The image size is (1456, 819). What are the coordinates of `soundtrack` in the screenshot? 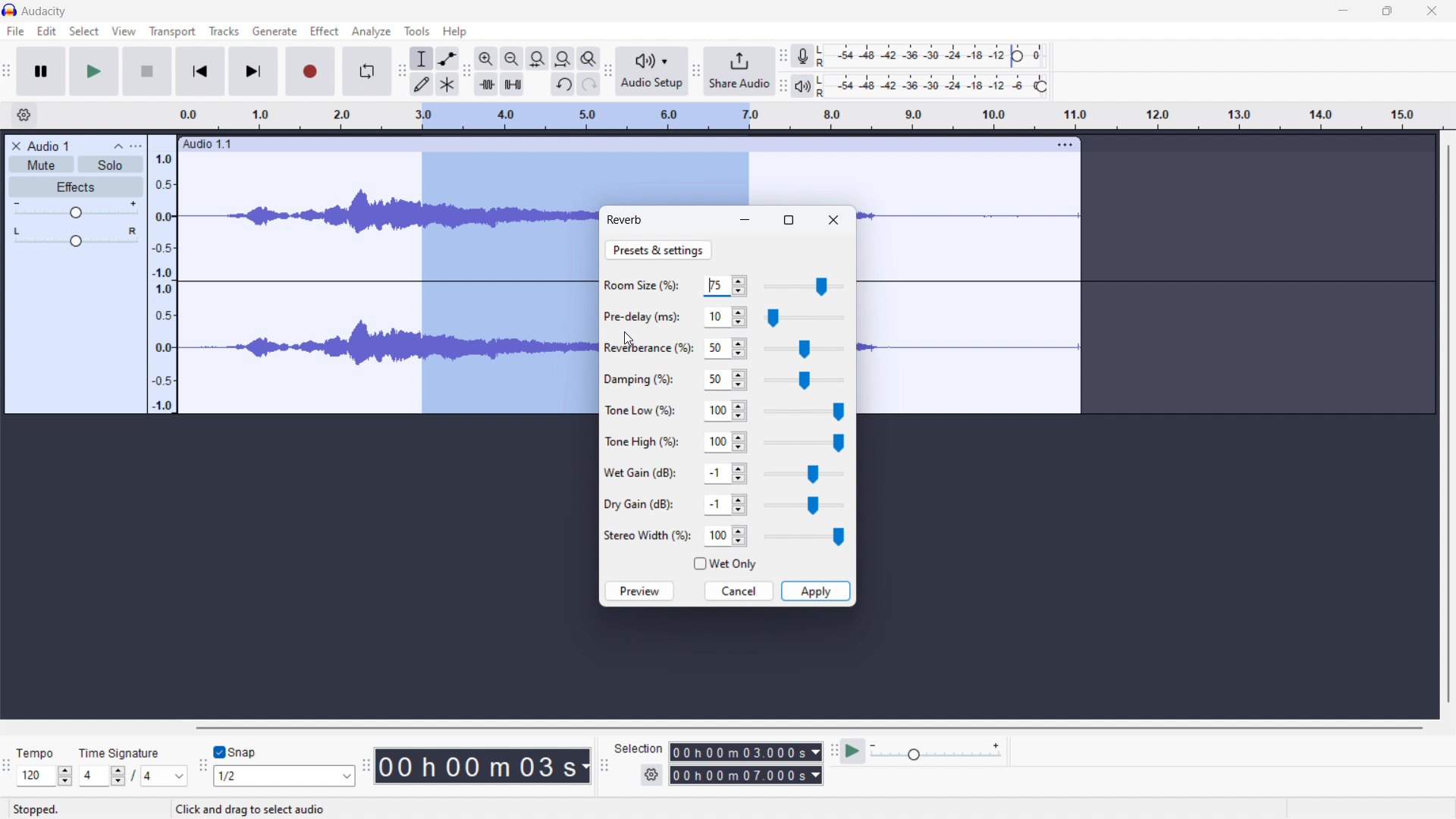 It's located at (290, 288).